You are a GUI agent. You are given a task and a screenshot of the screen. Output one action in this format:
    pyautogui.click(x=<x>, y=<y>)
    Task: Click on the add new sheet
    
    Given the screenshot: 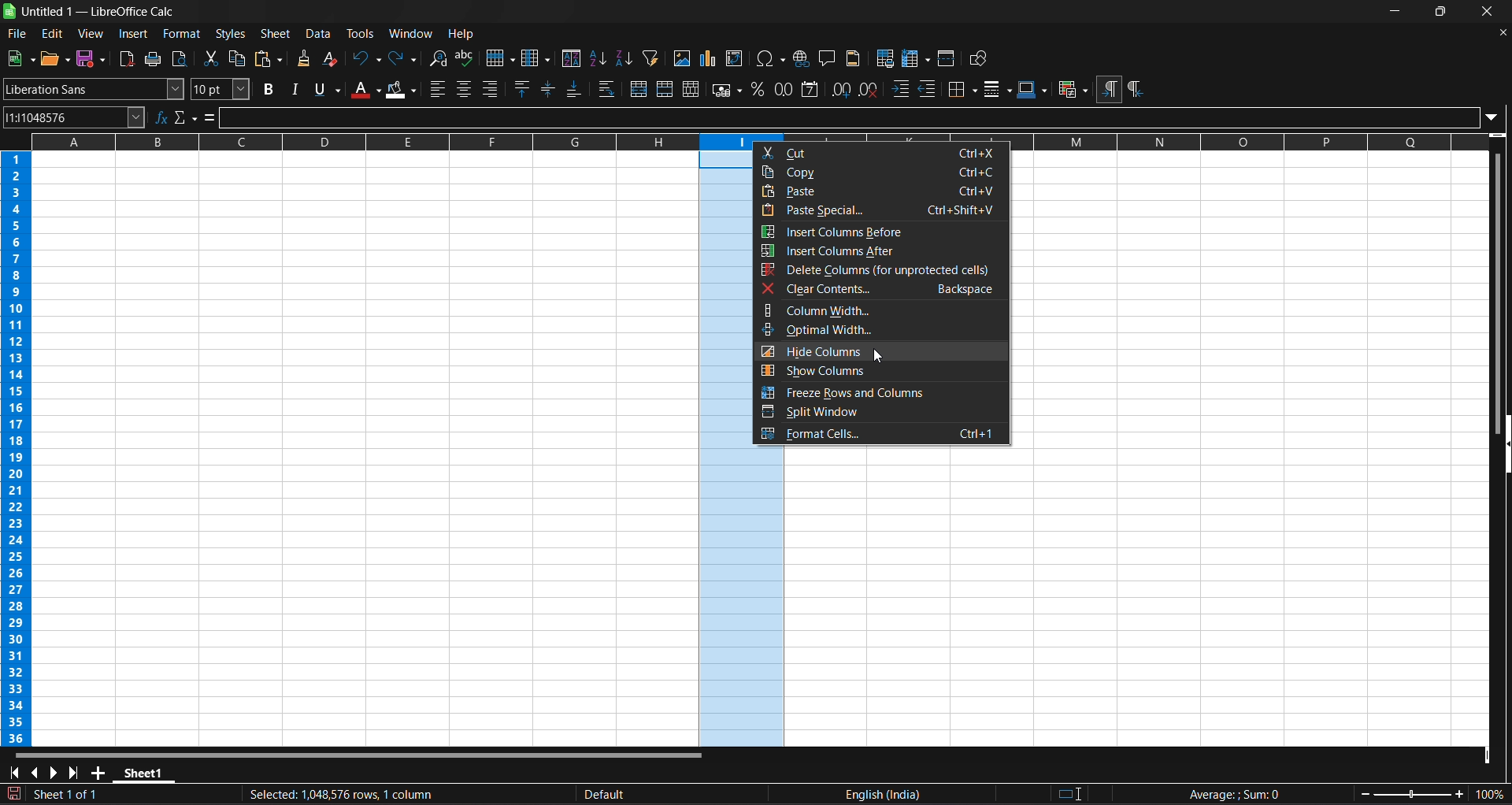 What is the action you would take?
    pyautogui.click(x=98, y=772)
    